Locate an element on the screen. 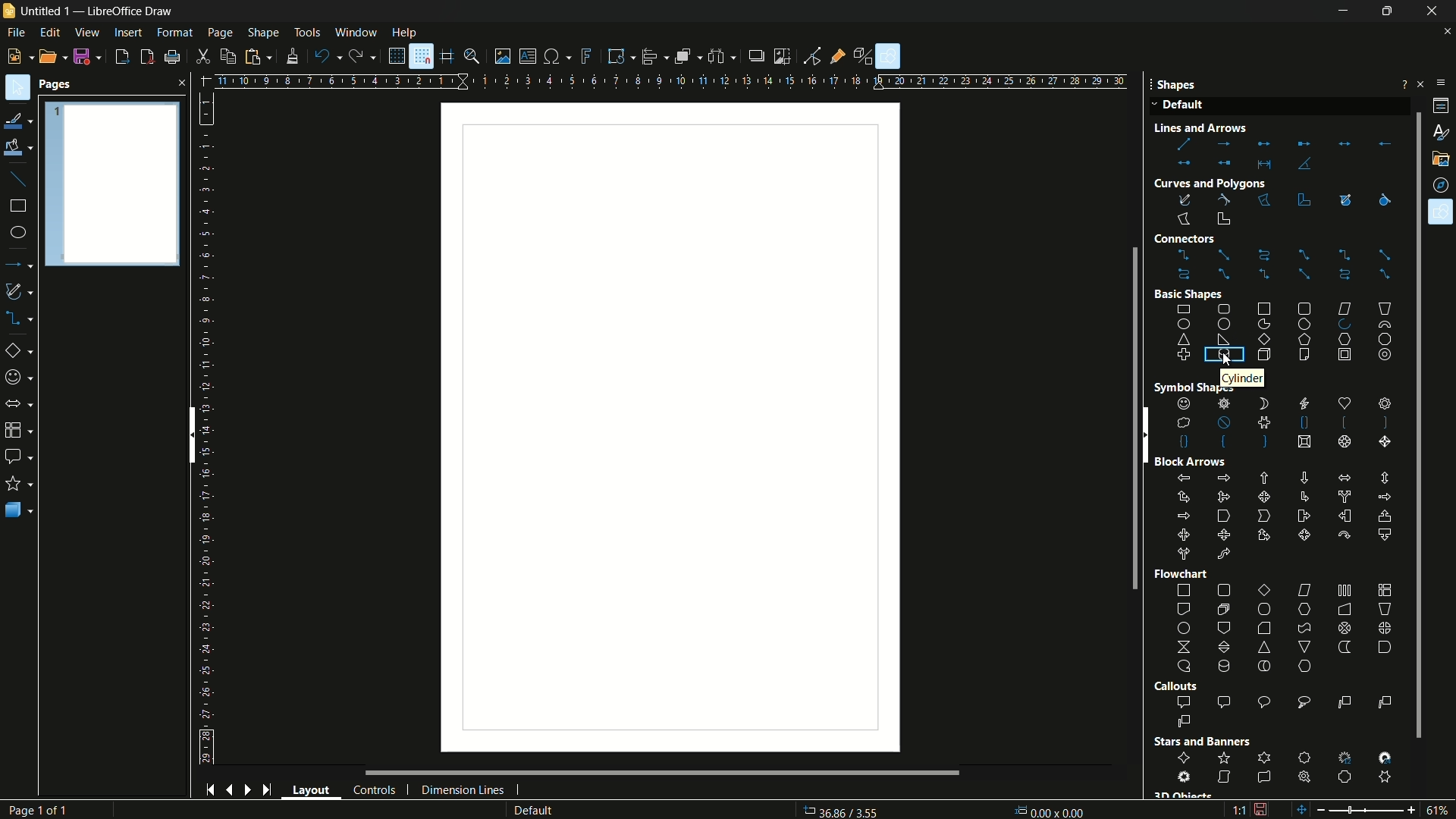  document modification is located at coordinates (1261, 808).